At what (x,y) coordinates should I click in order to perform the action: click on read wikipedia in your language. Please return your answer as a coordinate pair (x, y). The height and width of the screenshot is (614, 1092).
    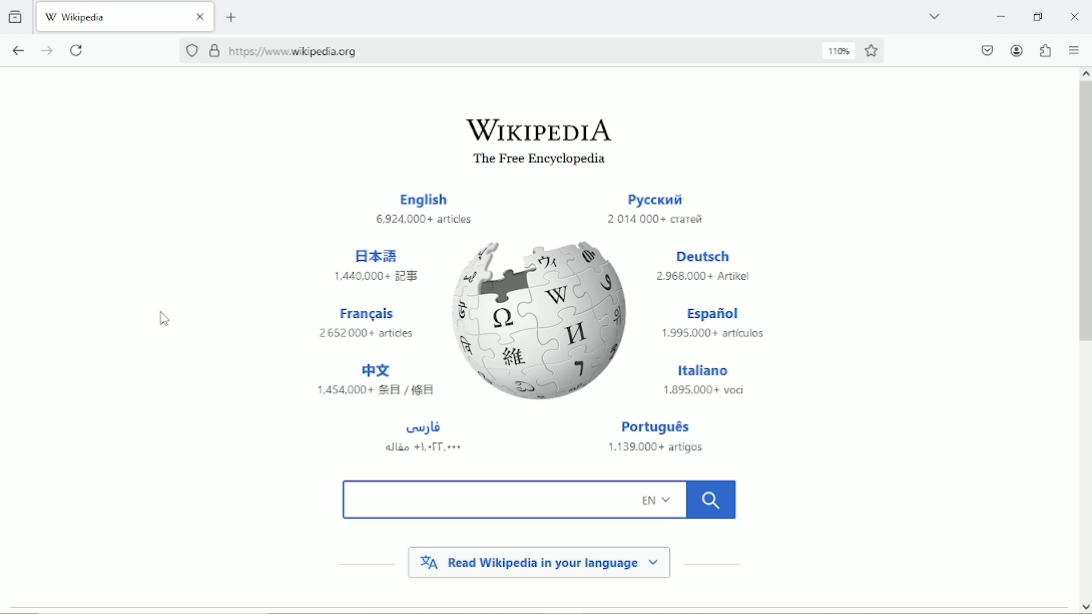
    Looking at the image, I should click on (538, 563).